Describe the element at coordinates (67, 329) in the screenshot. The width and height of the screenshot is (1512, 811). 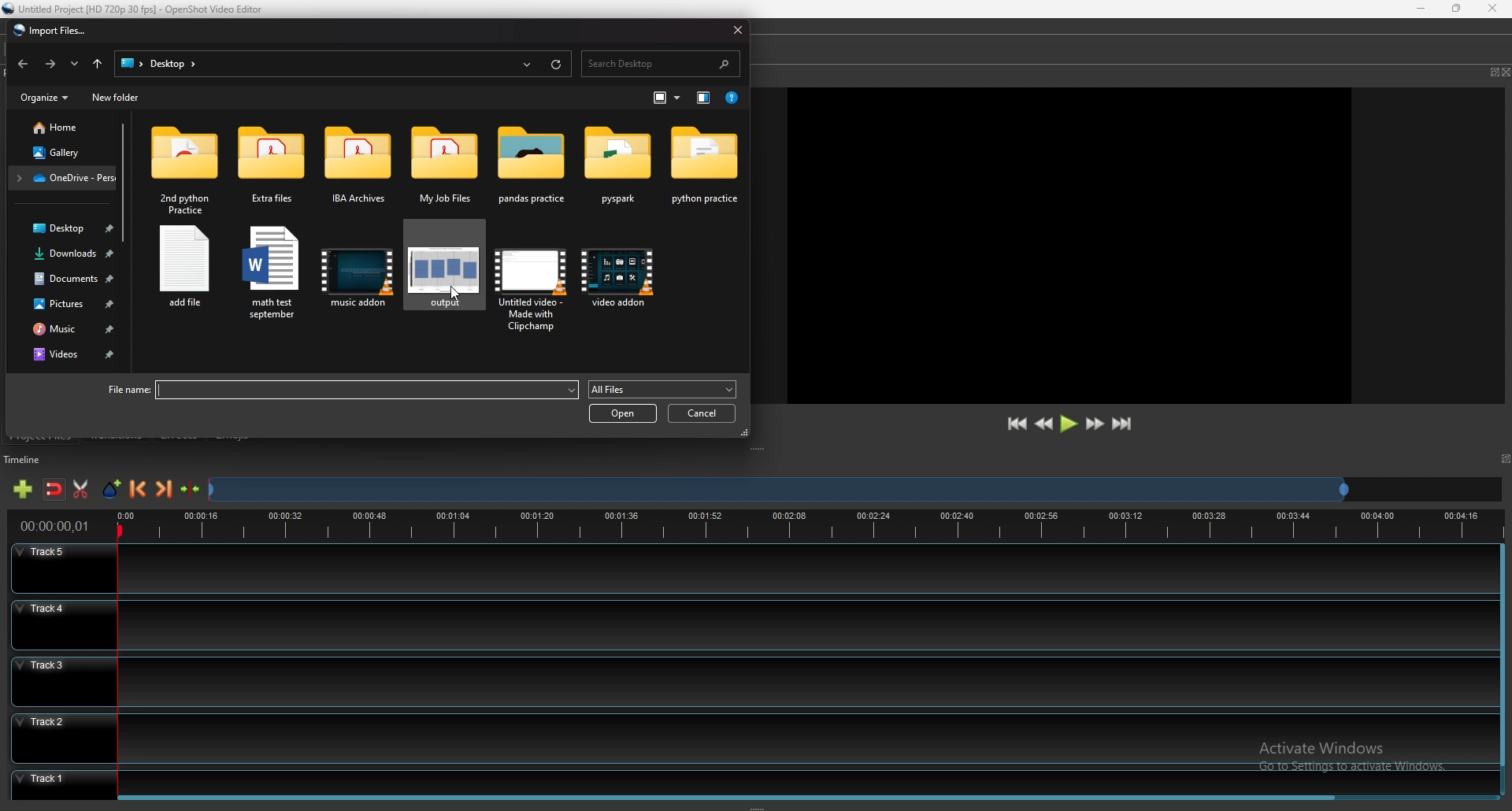
I see `music` at that location.